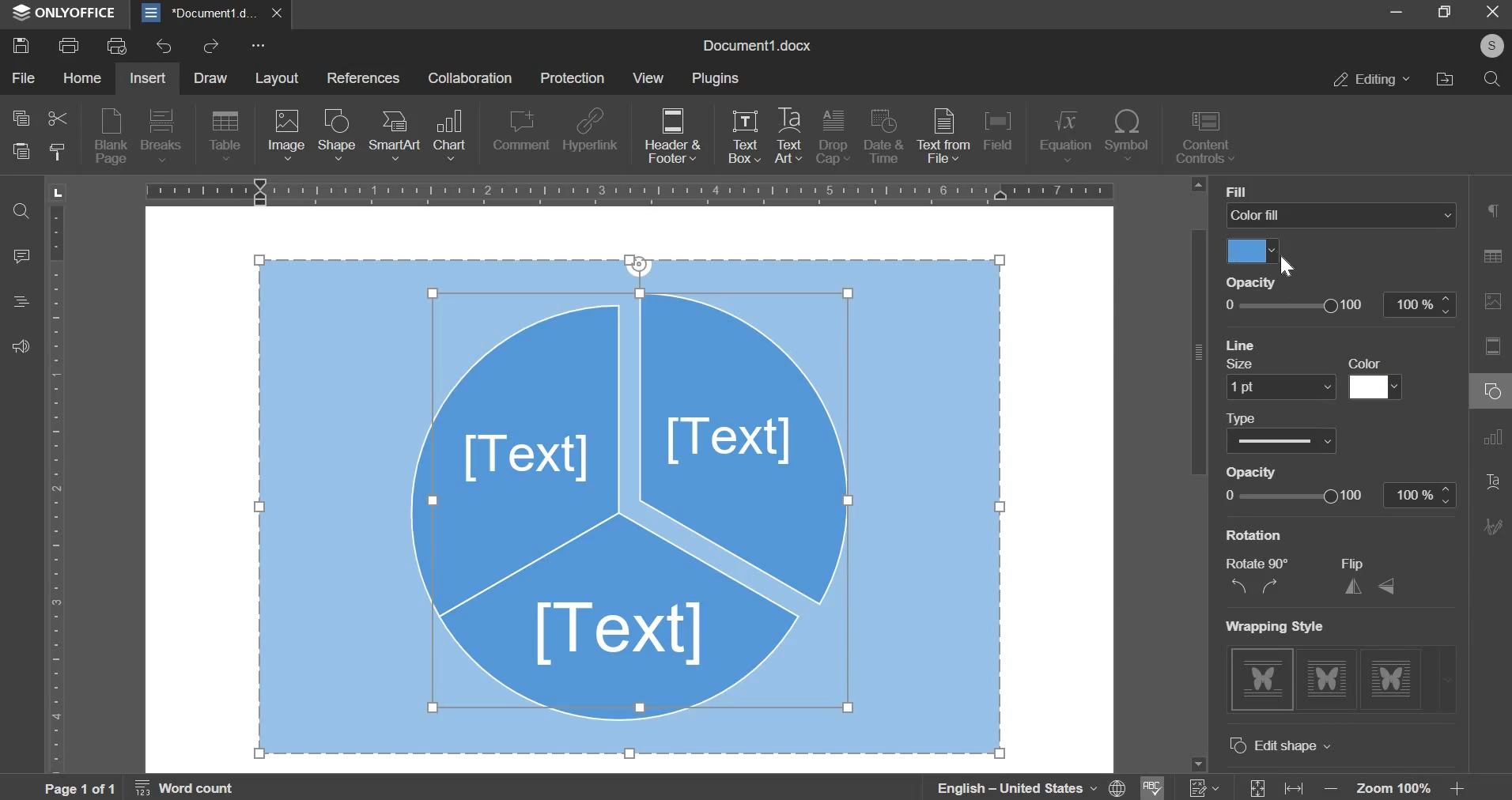 Image resolution: width=1512 pixels, height=800 pixels. I want to click on , so click(1264, 281).